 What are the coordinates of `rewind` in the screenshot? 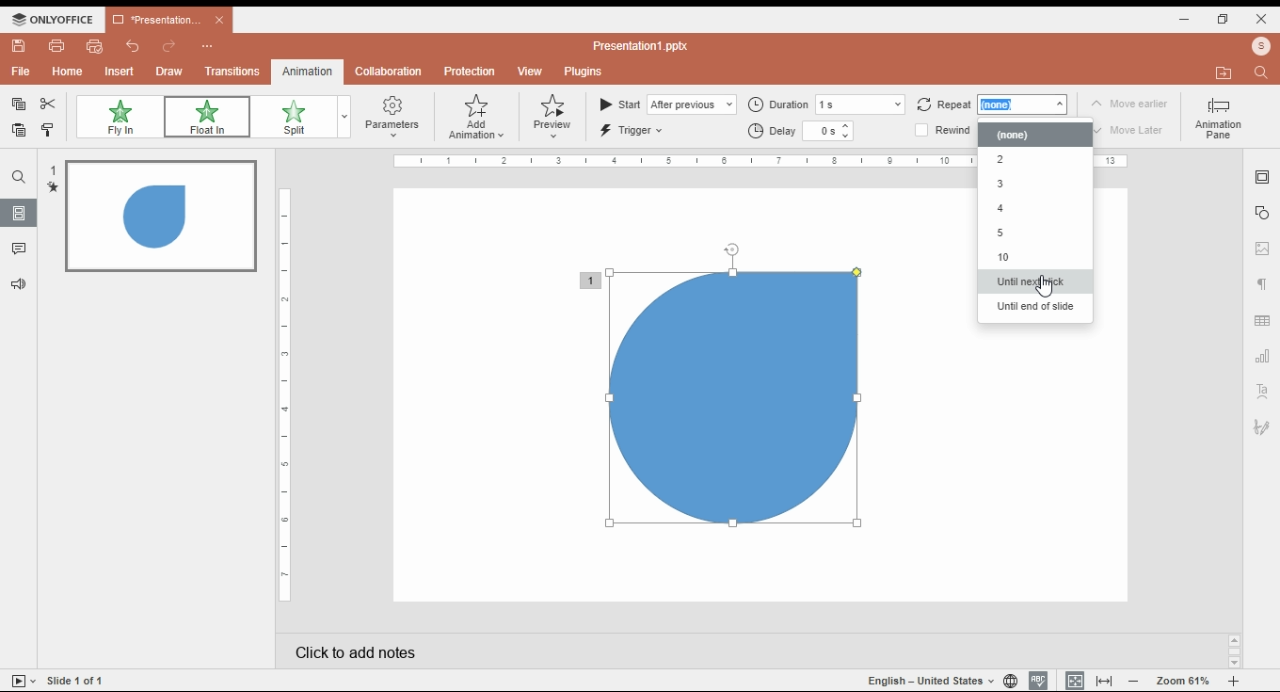 It's located at (946, 131).